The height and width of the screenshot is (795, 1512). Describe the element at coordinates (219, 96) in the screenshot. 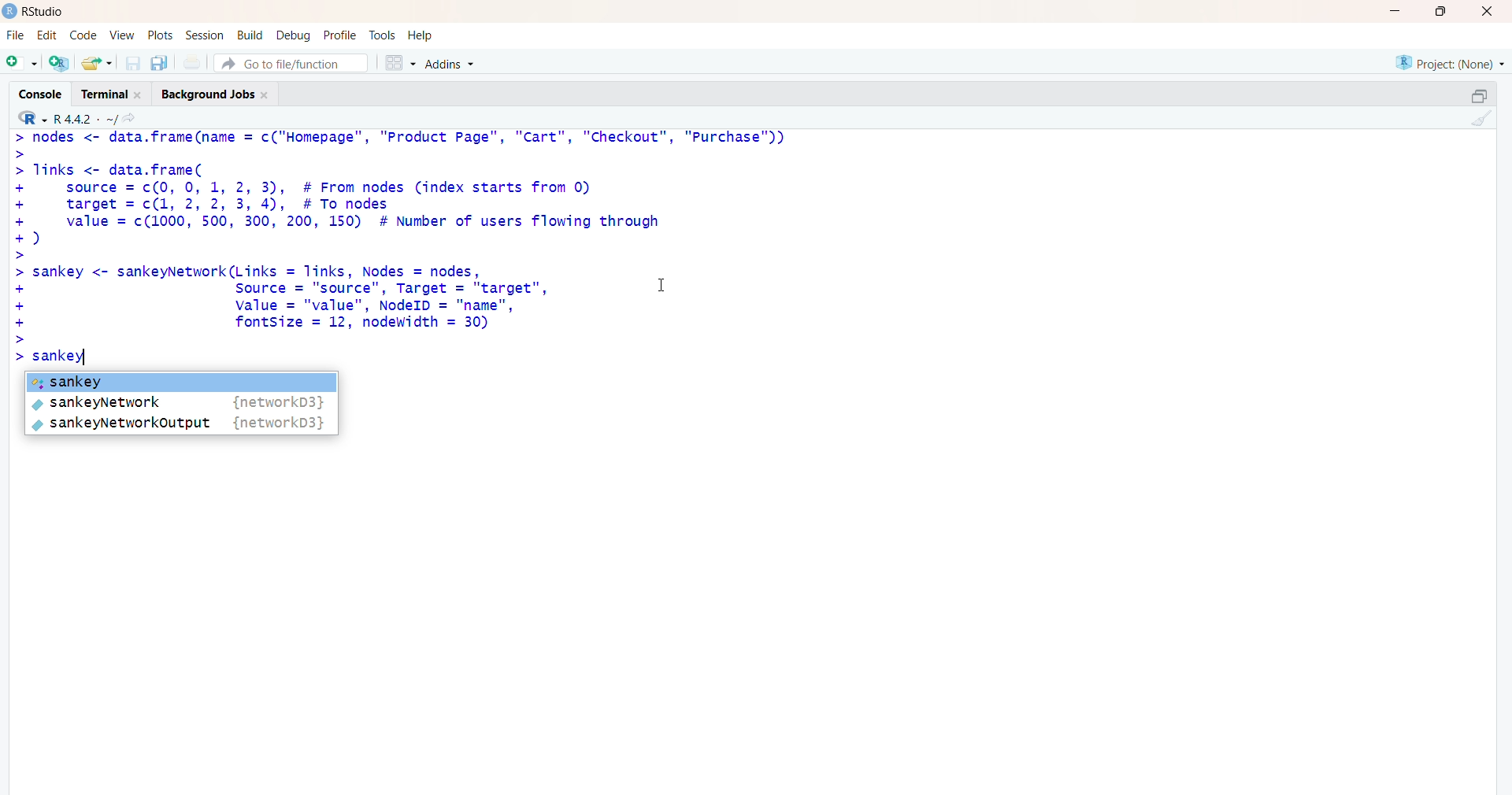

I see `background jobs` at that location.